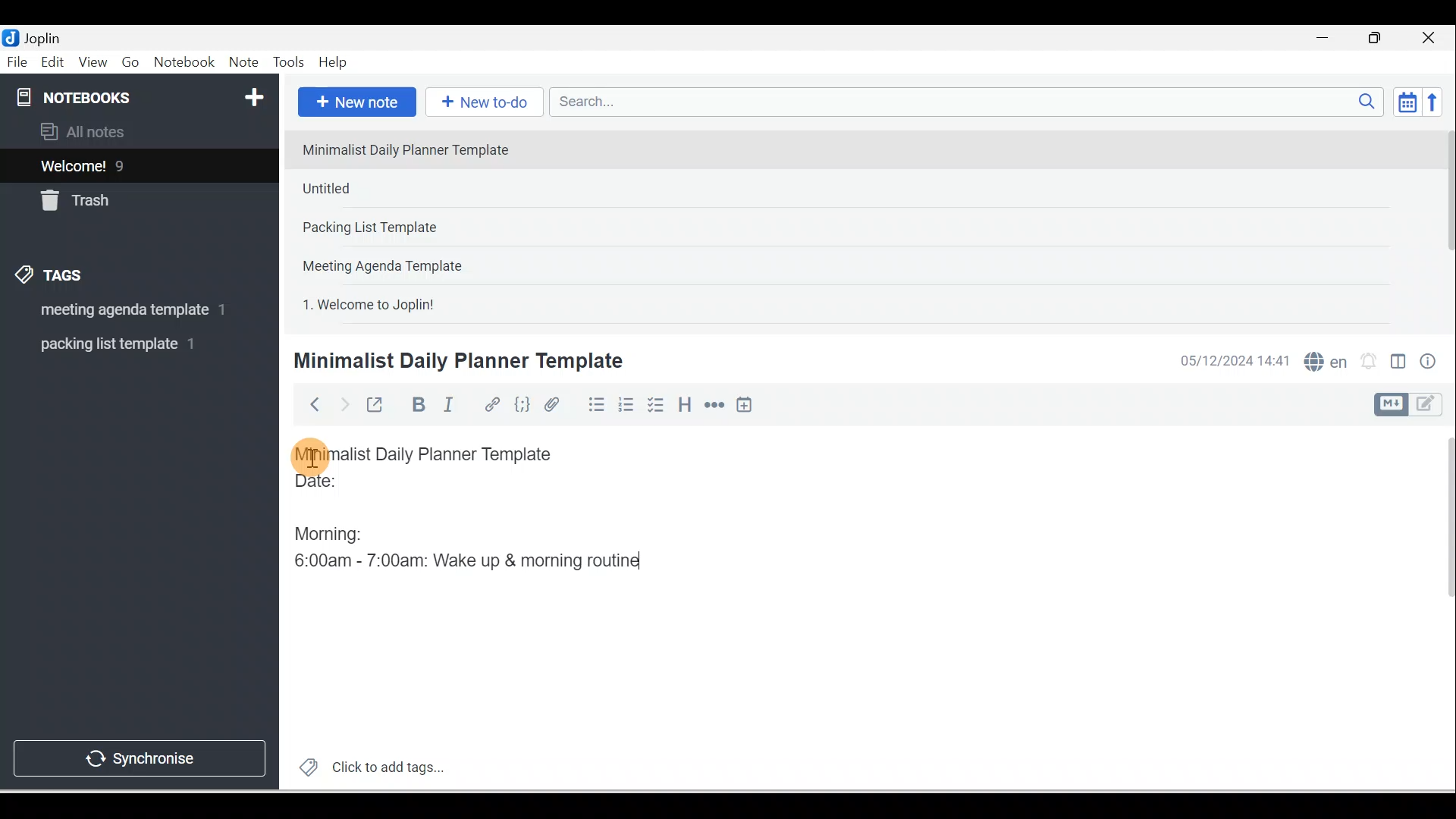 This screenshot has height=819, width=1456. What do you see at coordinates (416, 149) in the screenshot?
I see `Note 1` at bounding box center [416, 149].